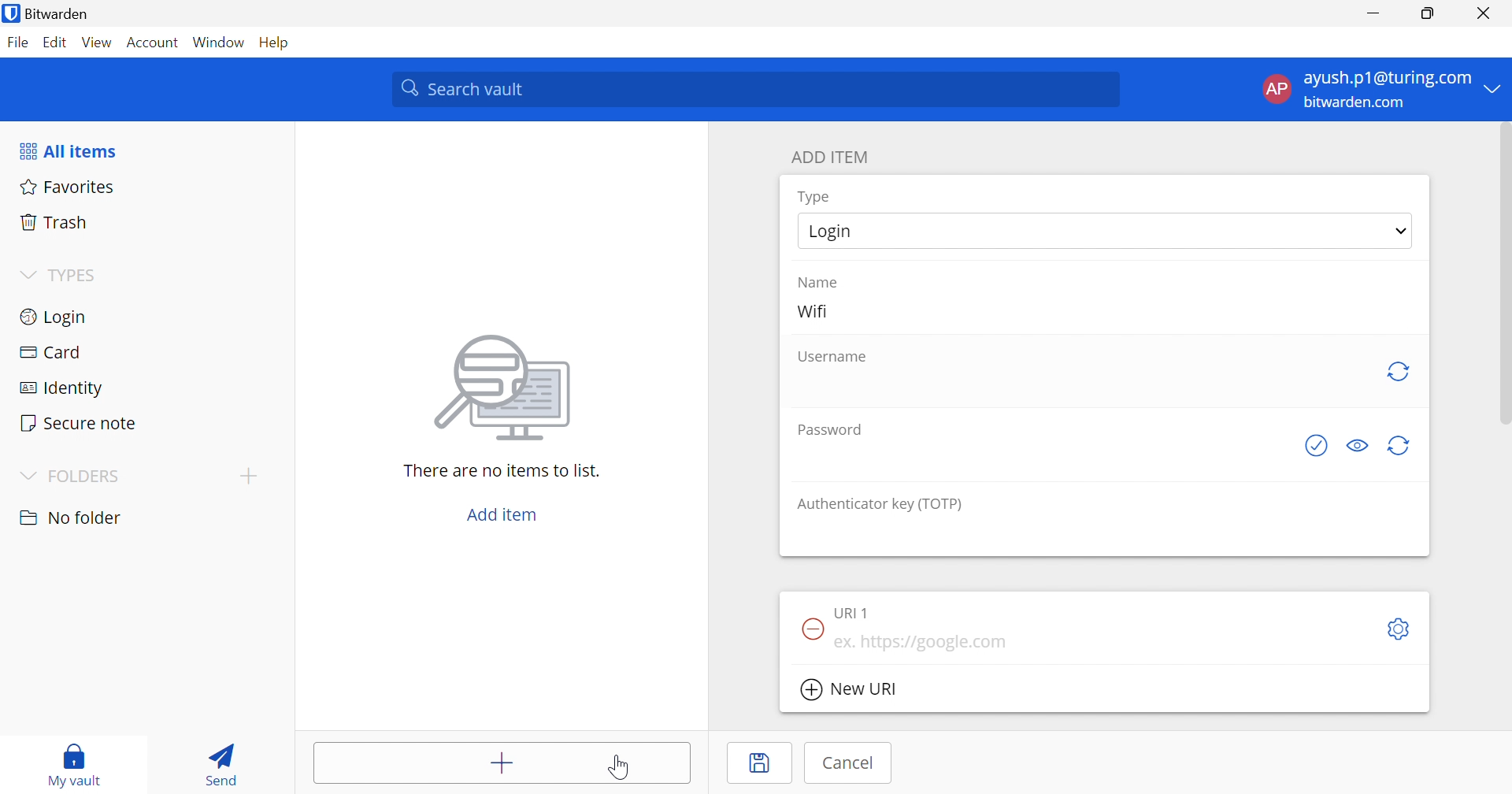 The image size is (1512, 794). I want to click on Bitwarden, so click(48, 13).